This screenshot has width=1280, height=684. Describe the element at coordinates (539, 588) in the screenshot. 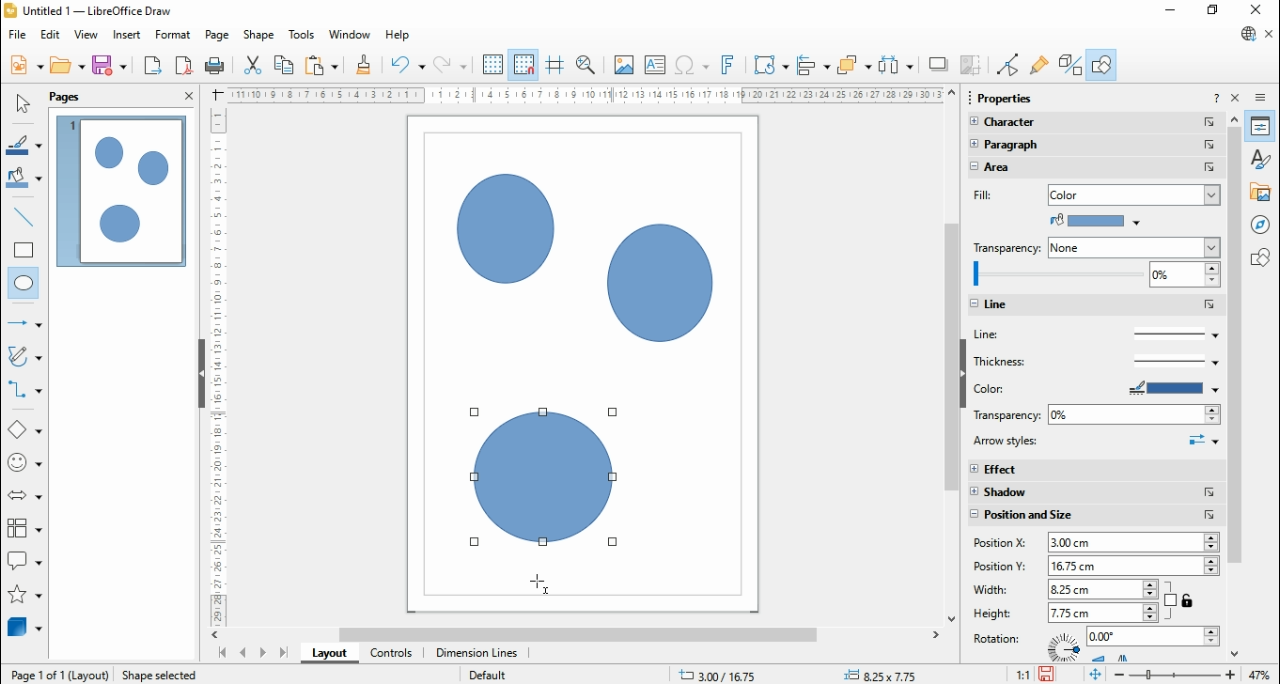

I see `Cursor` at that location.